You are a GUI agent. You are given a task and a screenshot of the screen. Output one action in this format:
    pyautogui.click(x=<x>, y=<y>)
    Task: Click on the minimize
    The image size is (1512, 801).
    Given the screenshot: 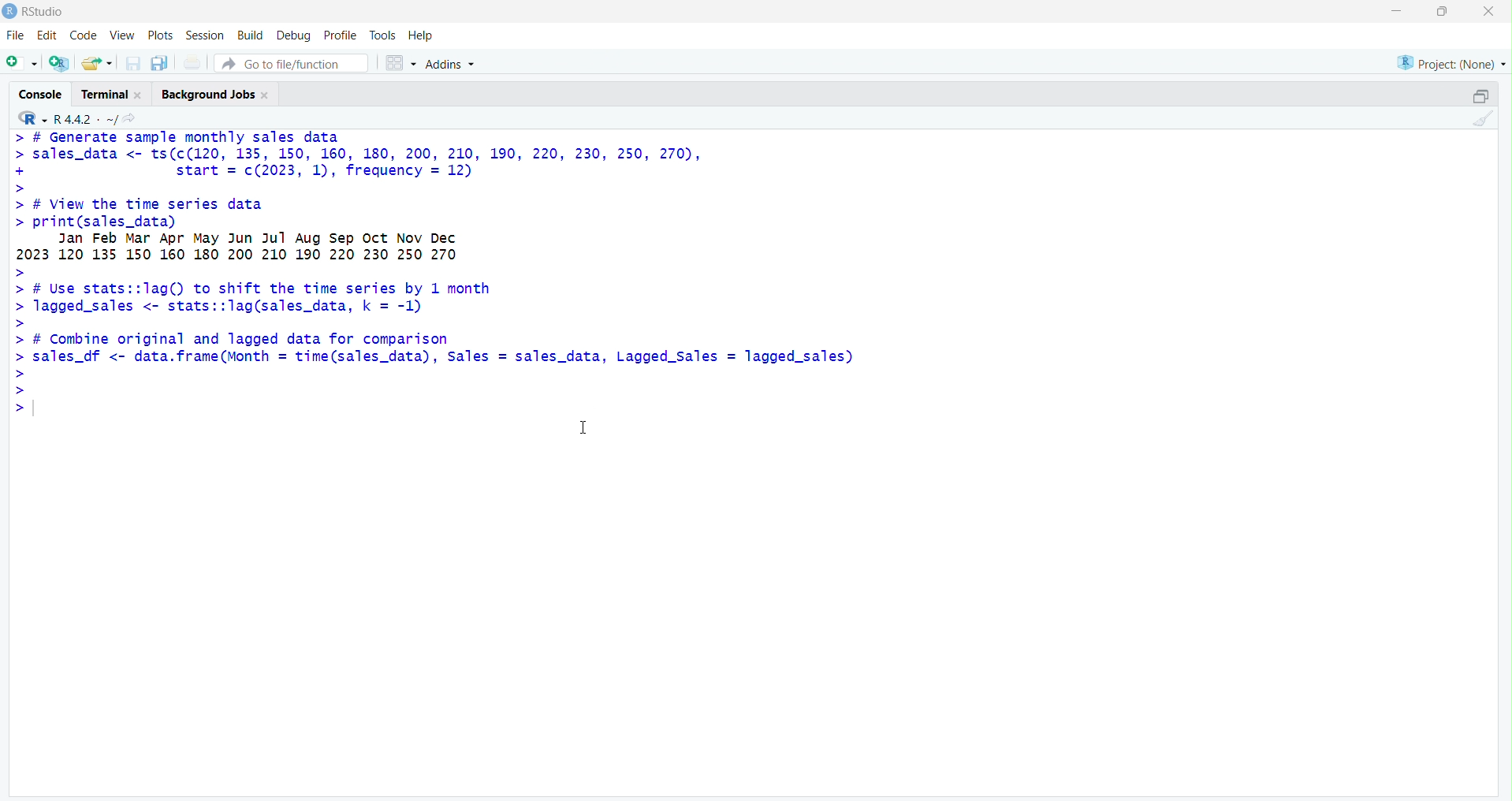 What is the action you would take?
    pyautogui.click(x=1394, y=12)
    